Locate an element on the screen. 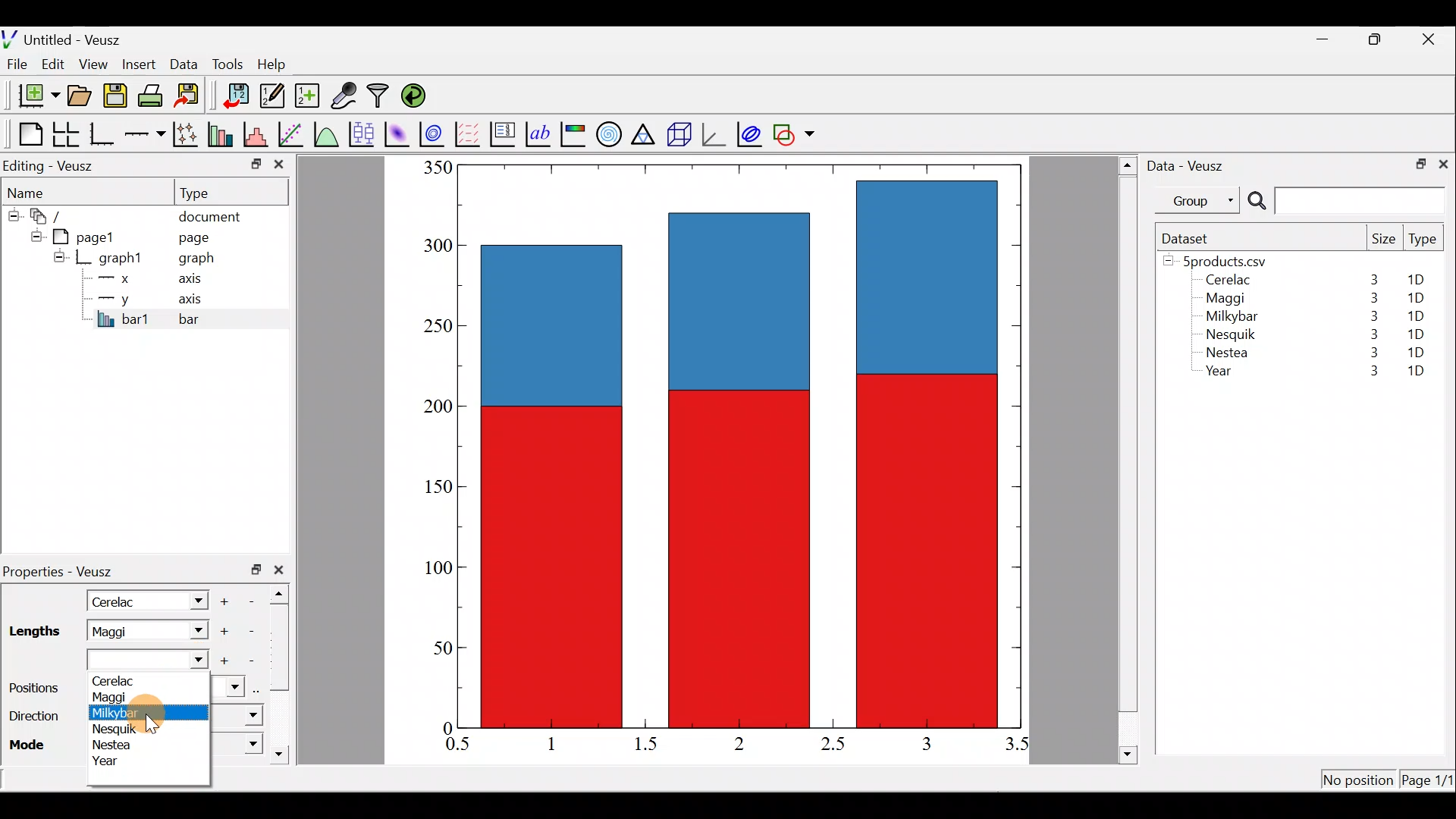  Insert is located at coordinates (141, 64).